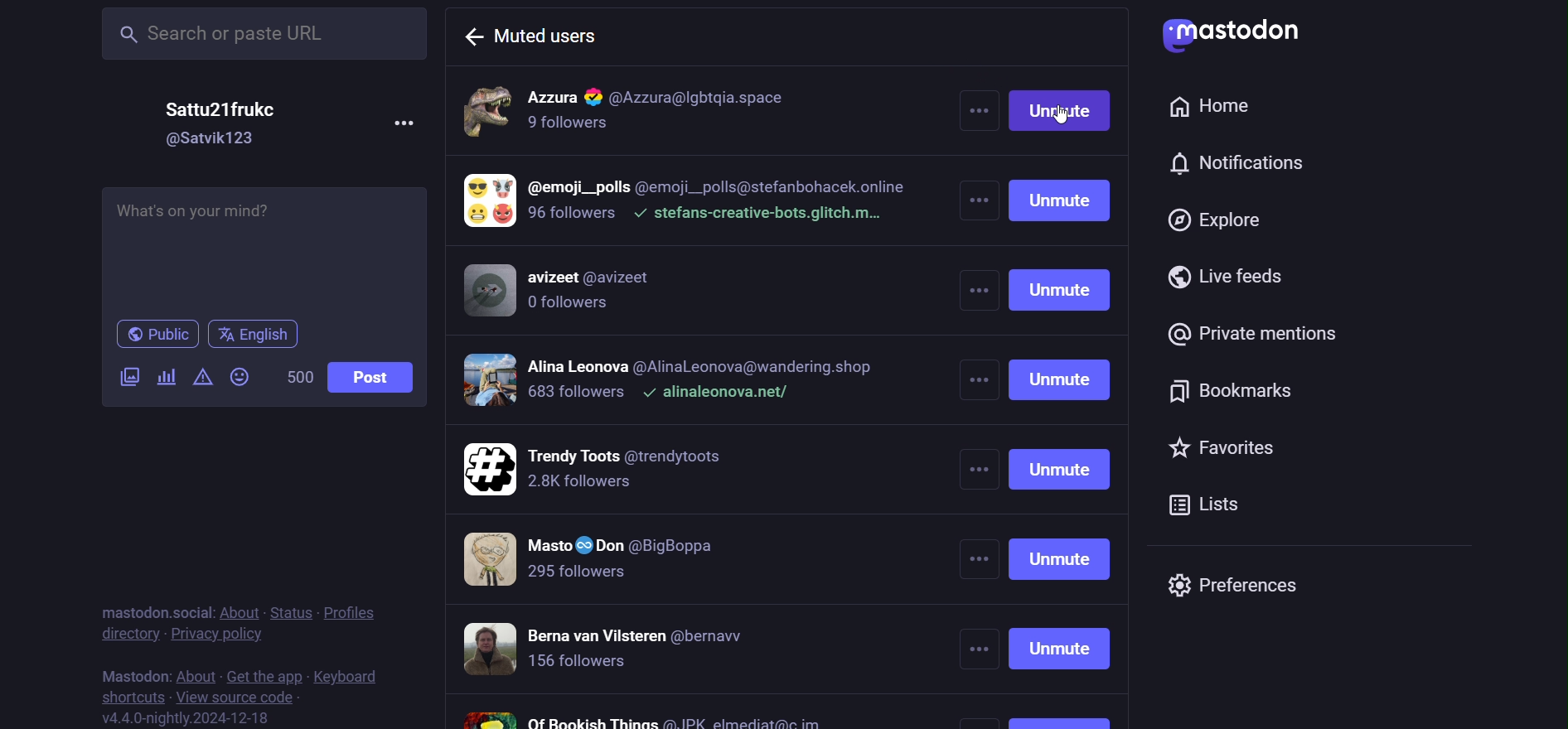 This screenshot has width=1568, height=729. Describe the element at coordinates (1251, 452) in the screenshot. I see `favorites` at that location.